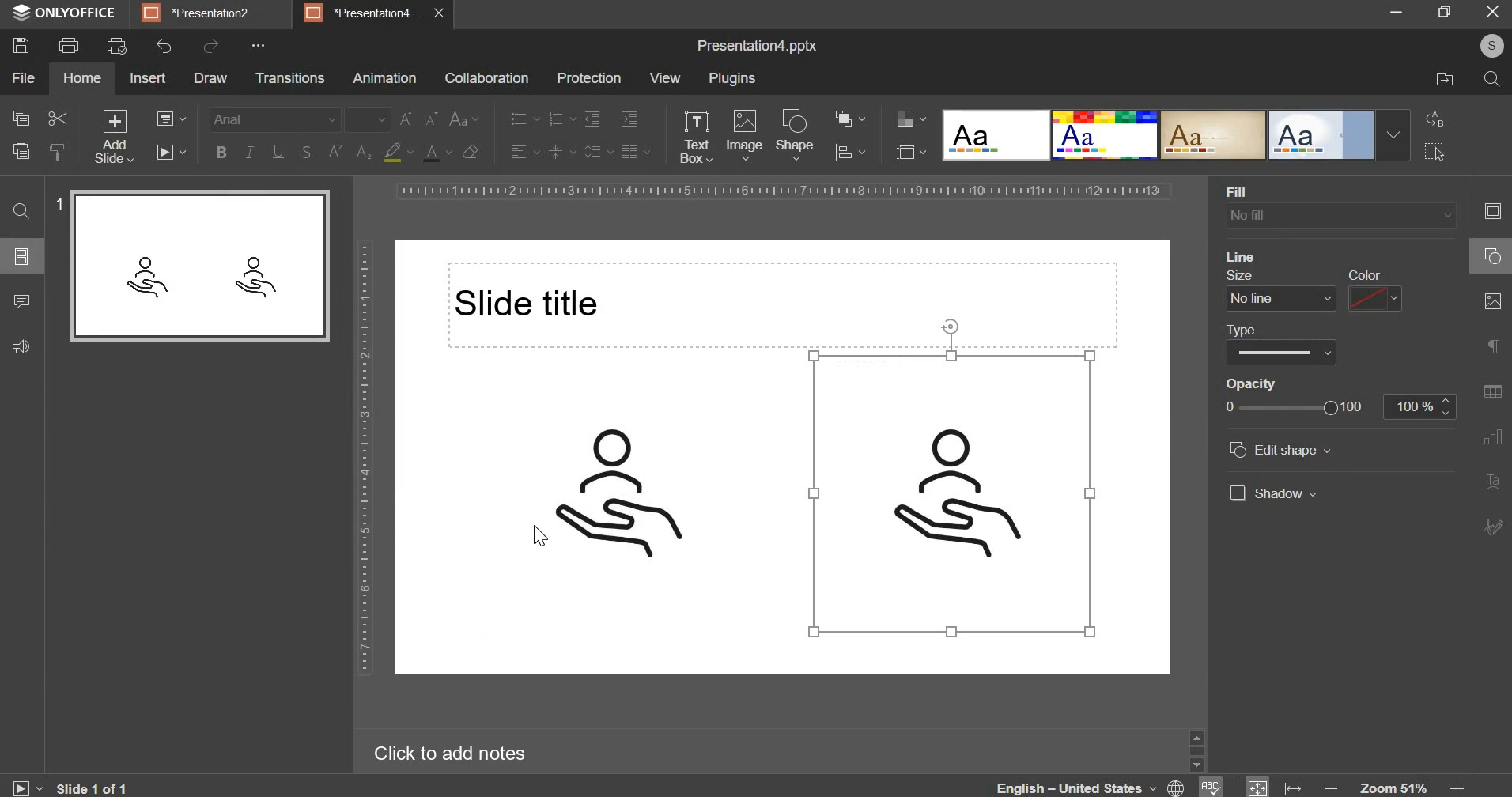  I want to click on collaboration, so click(486, 80).